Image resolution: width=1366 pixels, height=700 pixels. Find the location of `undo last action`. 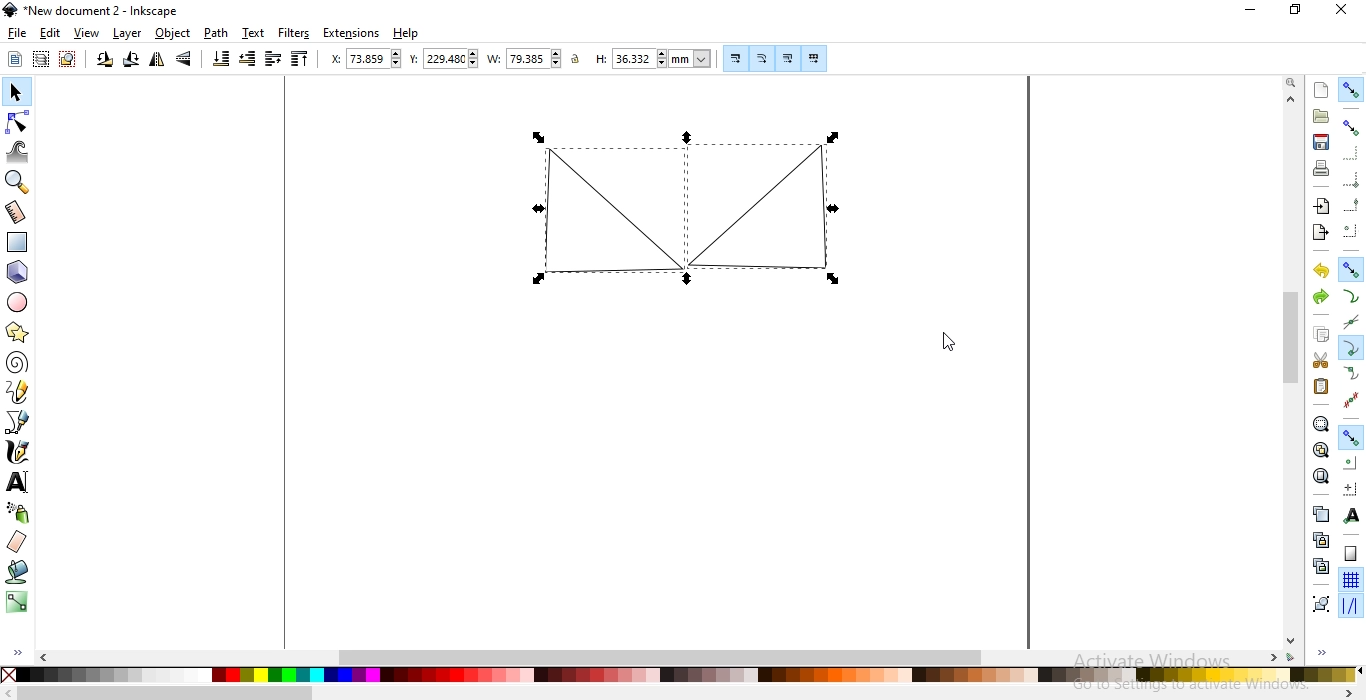

undo last action is located at coordinates (1323, 272).